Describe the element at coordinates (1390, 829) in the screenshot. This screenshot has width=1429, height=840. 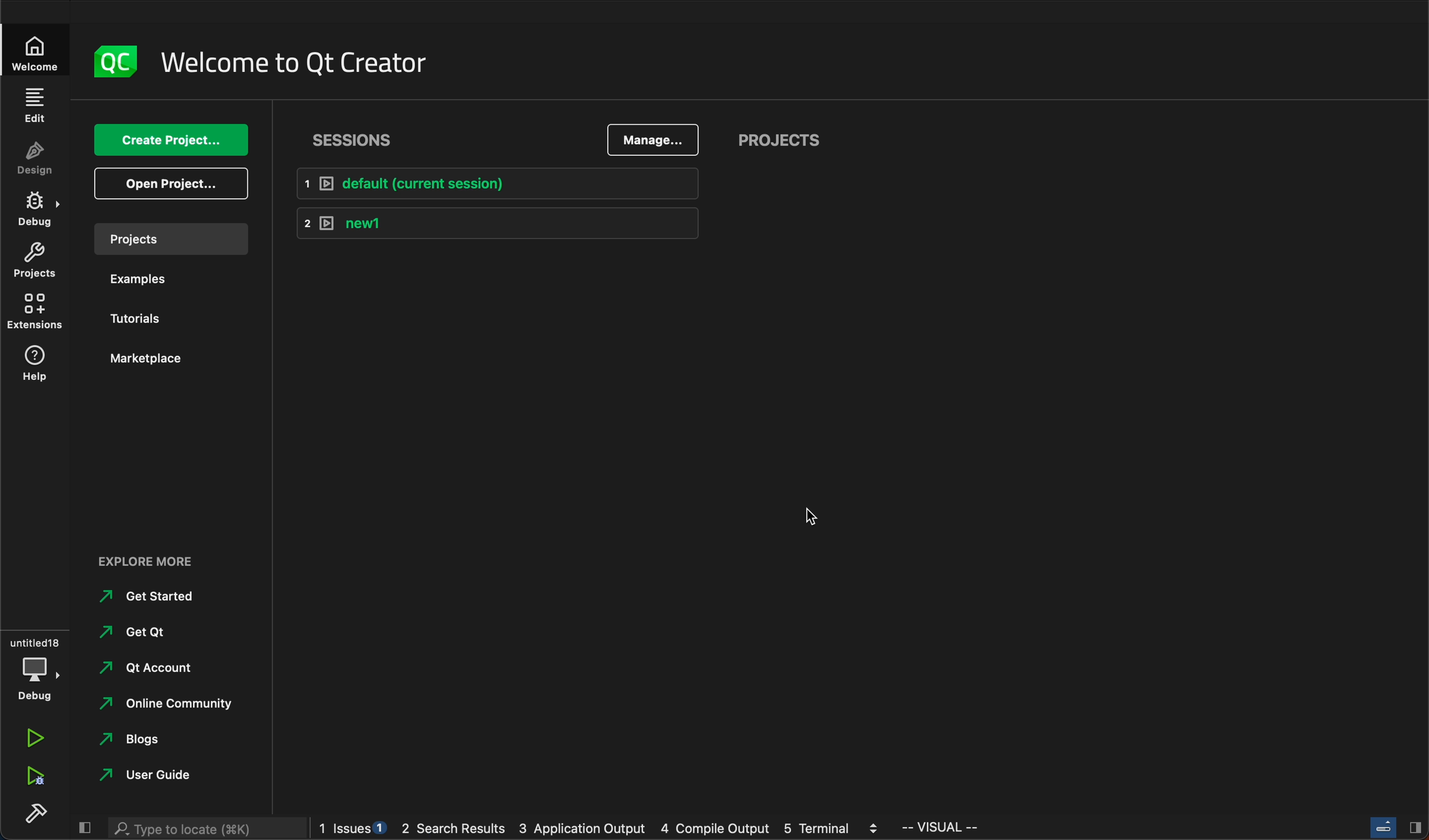
I see `close slidebar` at that location.